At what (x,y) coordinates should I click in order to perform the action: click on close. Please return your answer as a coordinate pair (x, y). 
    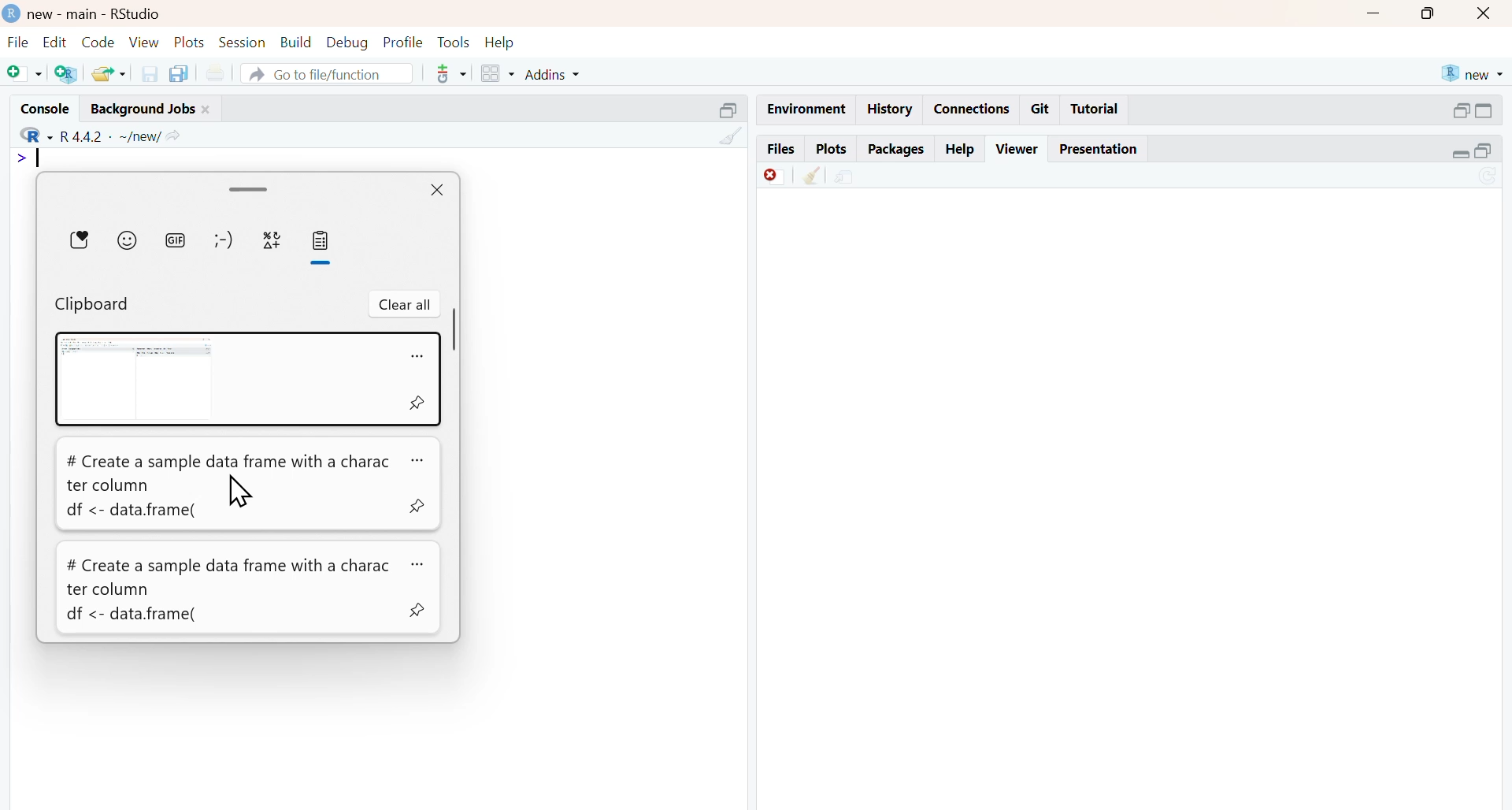
    Looking at the image, I should click on (206, 110).